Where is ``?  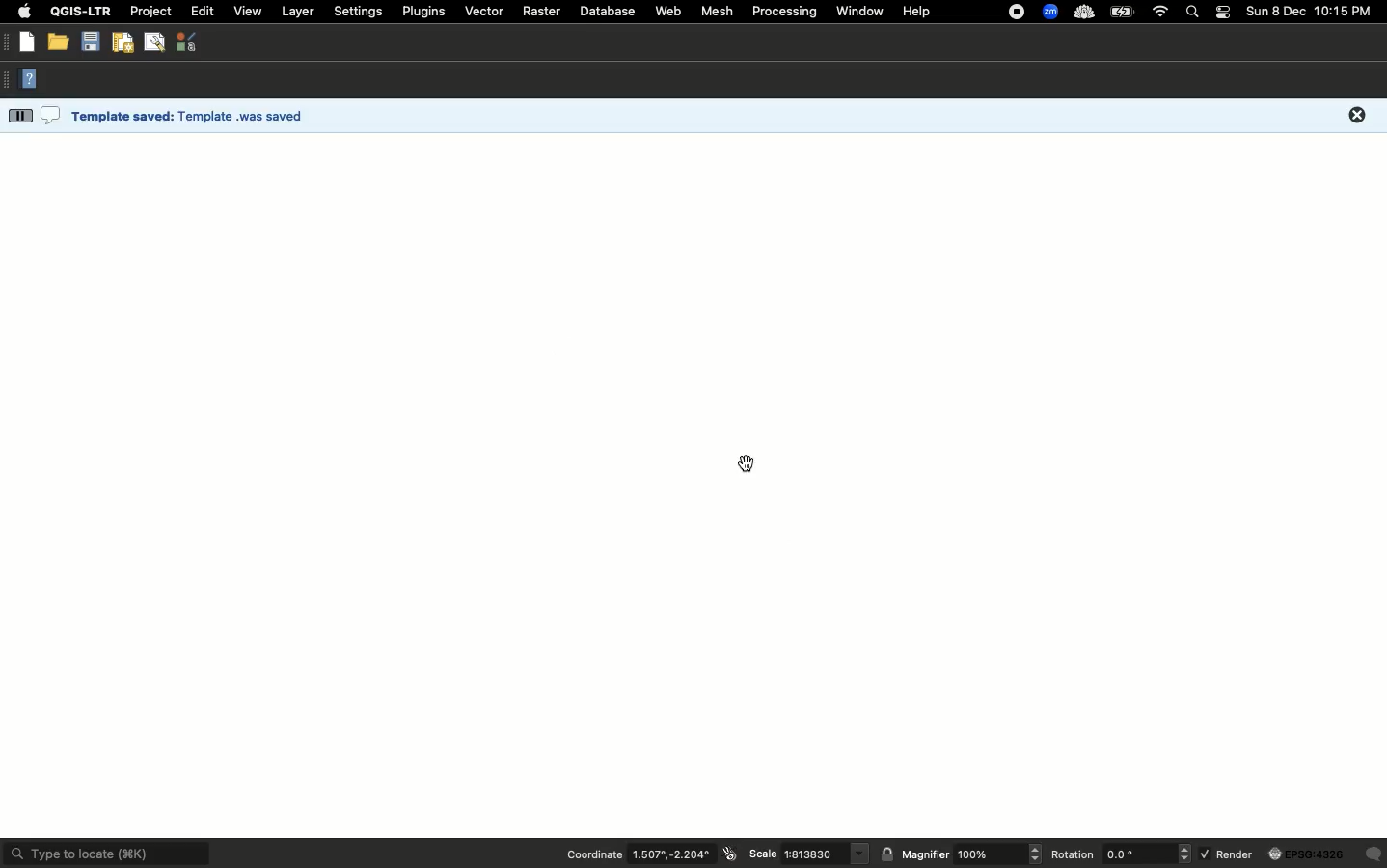  is located at coordinates (1374, 854).